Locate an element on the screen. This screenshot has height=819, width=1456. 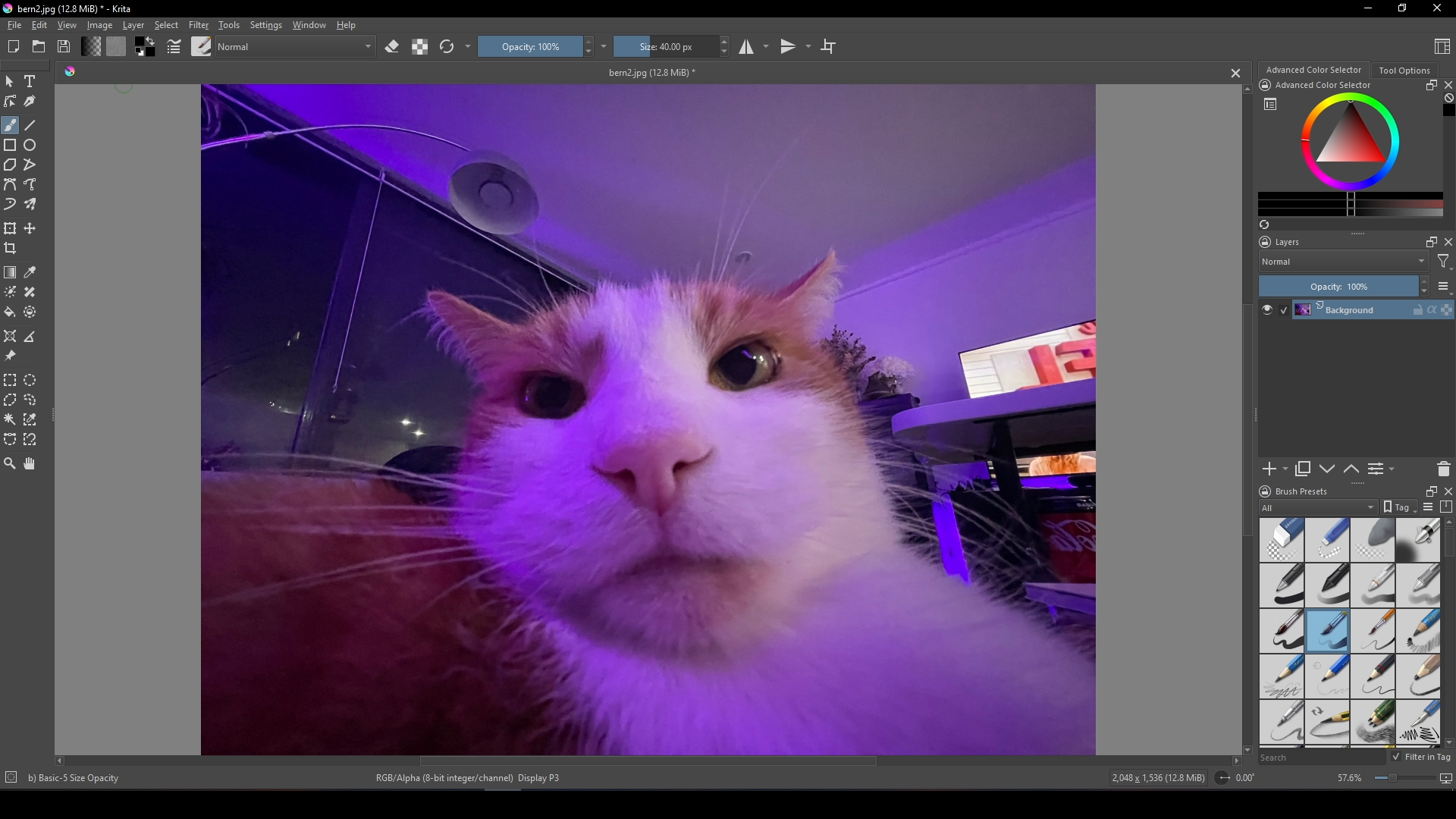
Horizontal mirror tool is located at coordinates (752, 46).